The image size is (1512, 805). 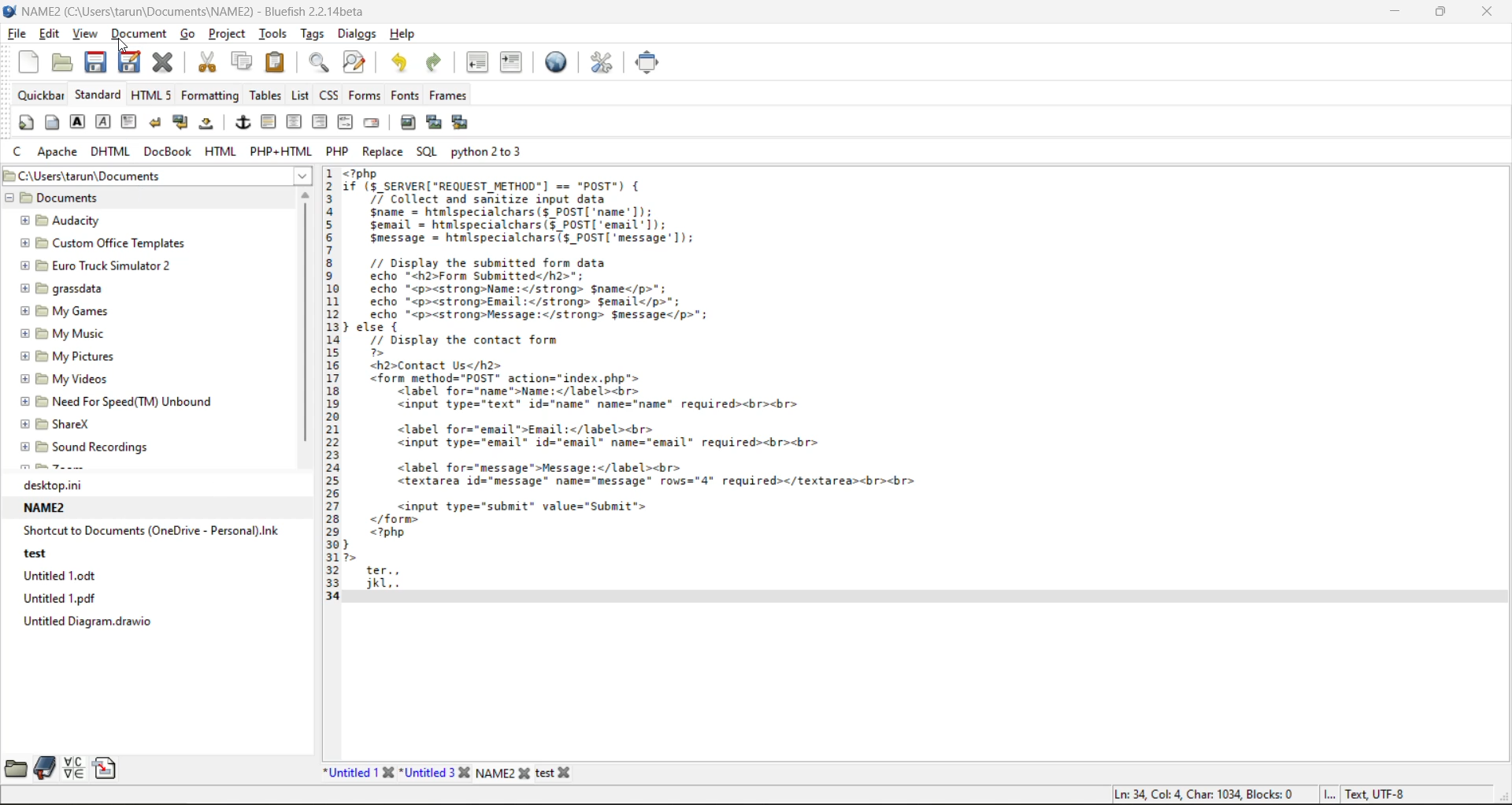 I want to click on view, so click(x=86, y=35).